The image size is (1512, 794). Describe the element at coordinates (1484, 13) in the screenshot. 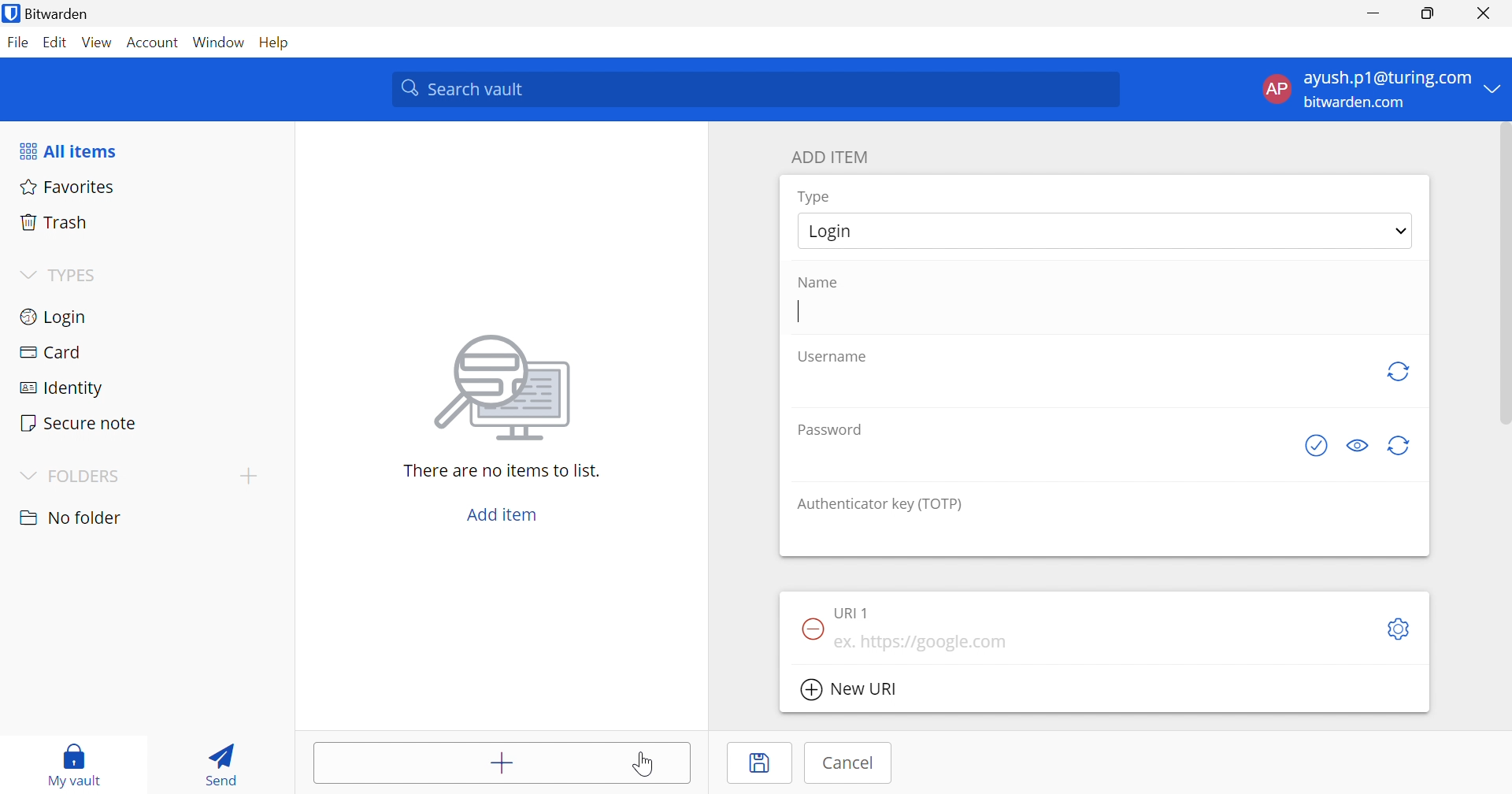

I see `Close` at that location.